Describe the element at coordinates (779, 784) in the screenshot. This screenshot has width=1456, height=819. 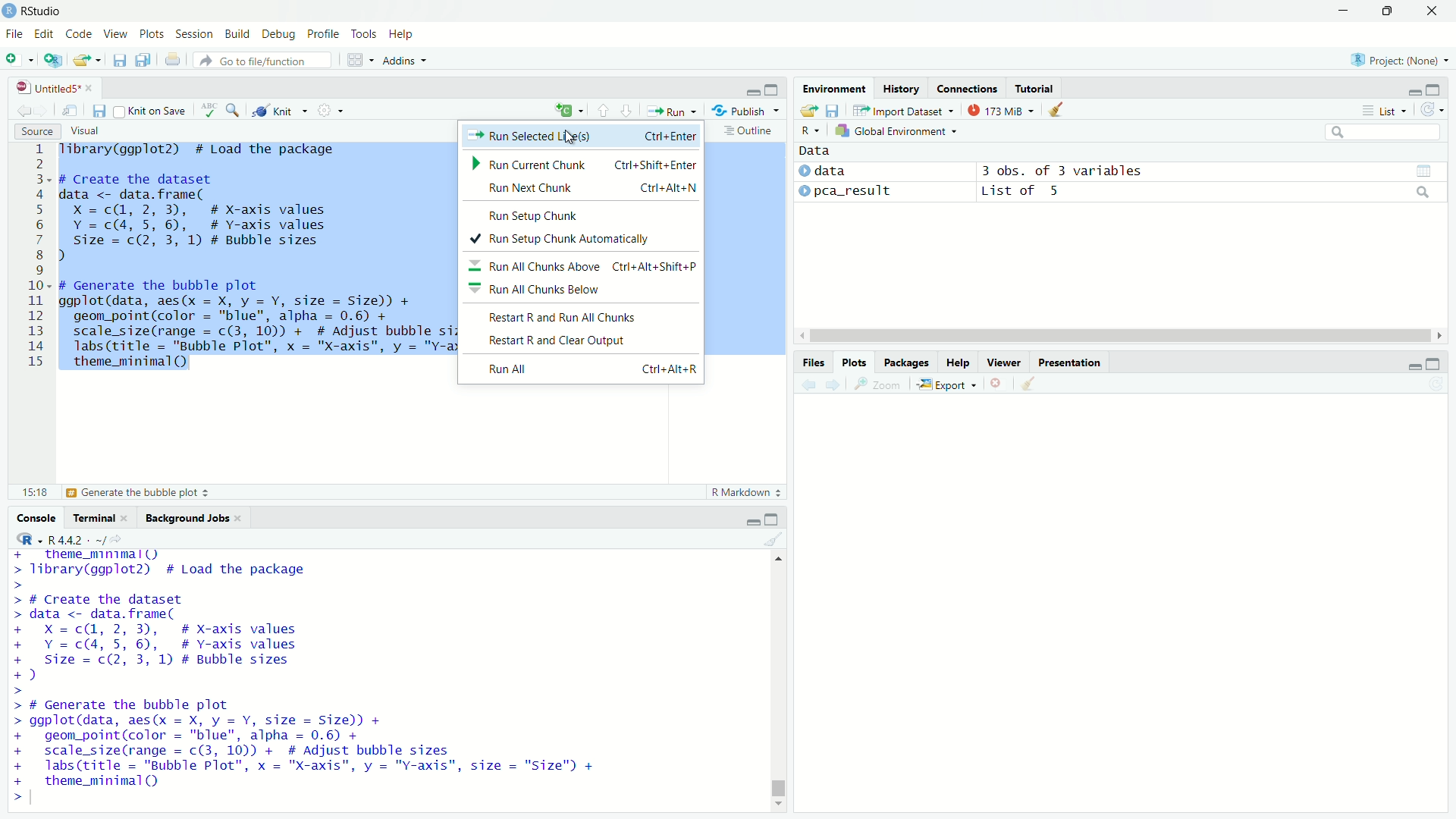
I see `vertical scrollbar` at that location.